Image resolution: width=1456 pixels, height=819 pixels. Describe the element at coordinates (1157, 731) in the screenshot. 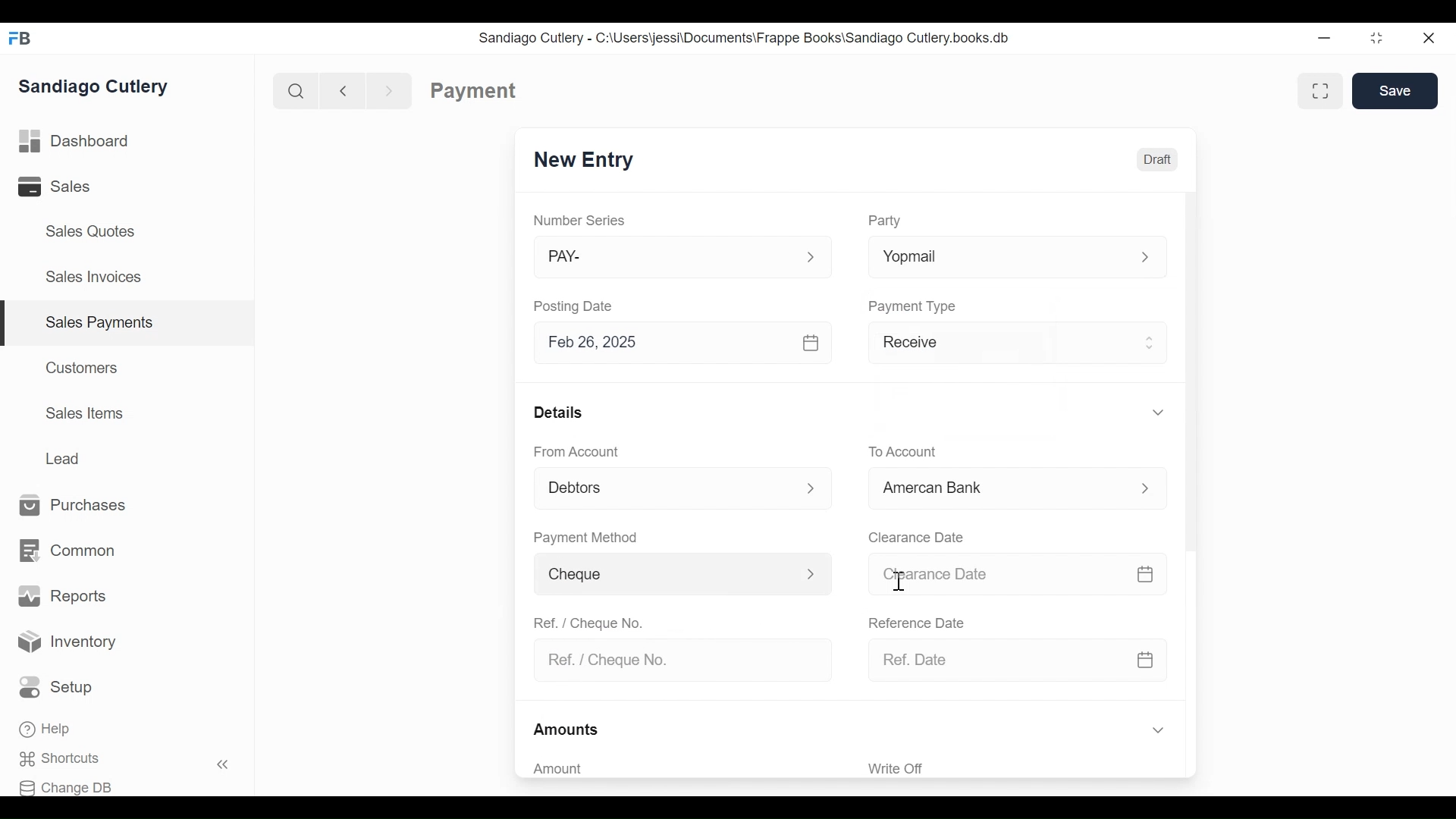

I see `Expand` at that location.